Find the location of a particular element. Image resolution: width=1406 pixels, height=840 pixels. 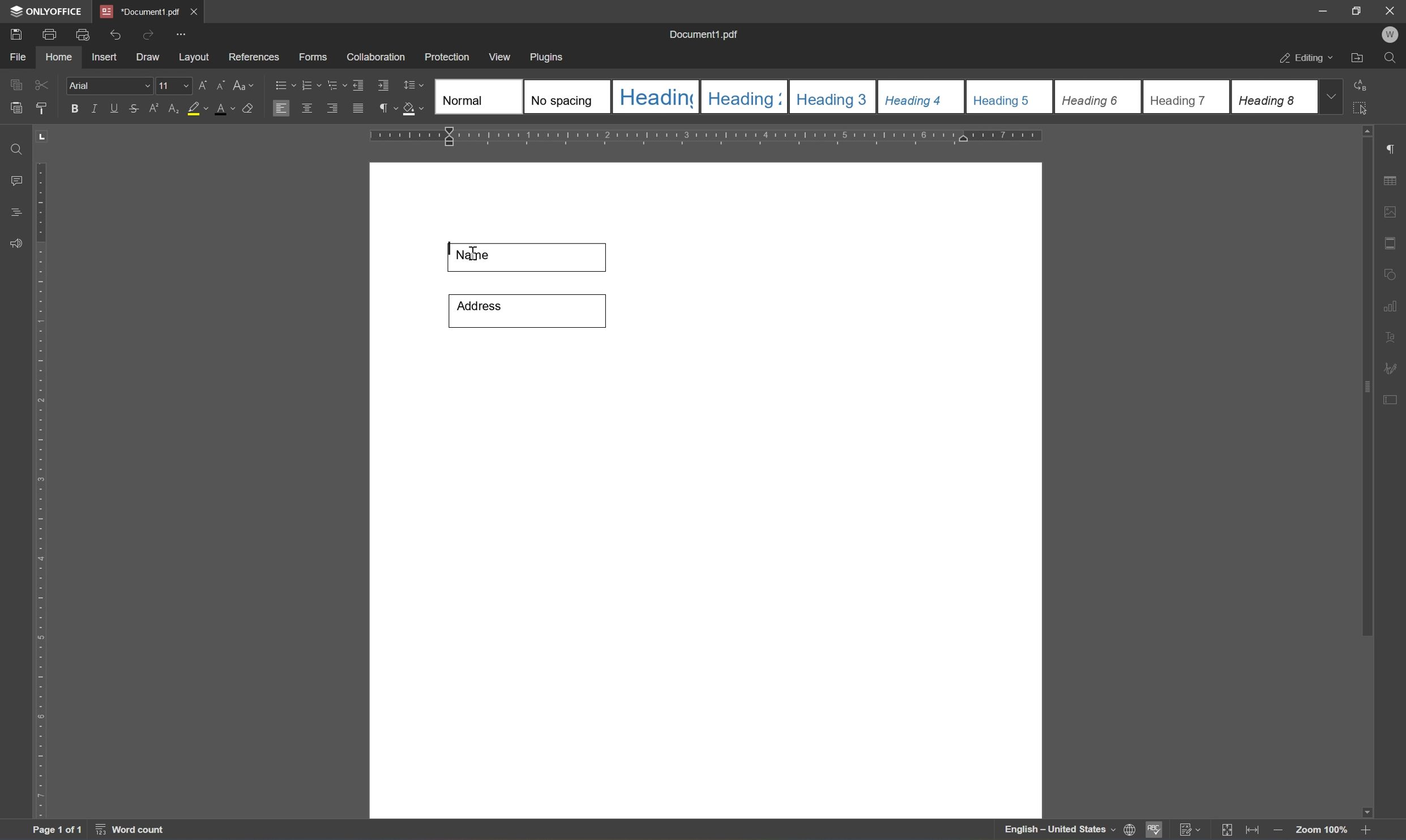

scroll up is located at coordinates (1373, 130).